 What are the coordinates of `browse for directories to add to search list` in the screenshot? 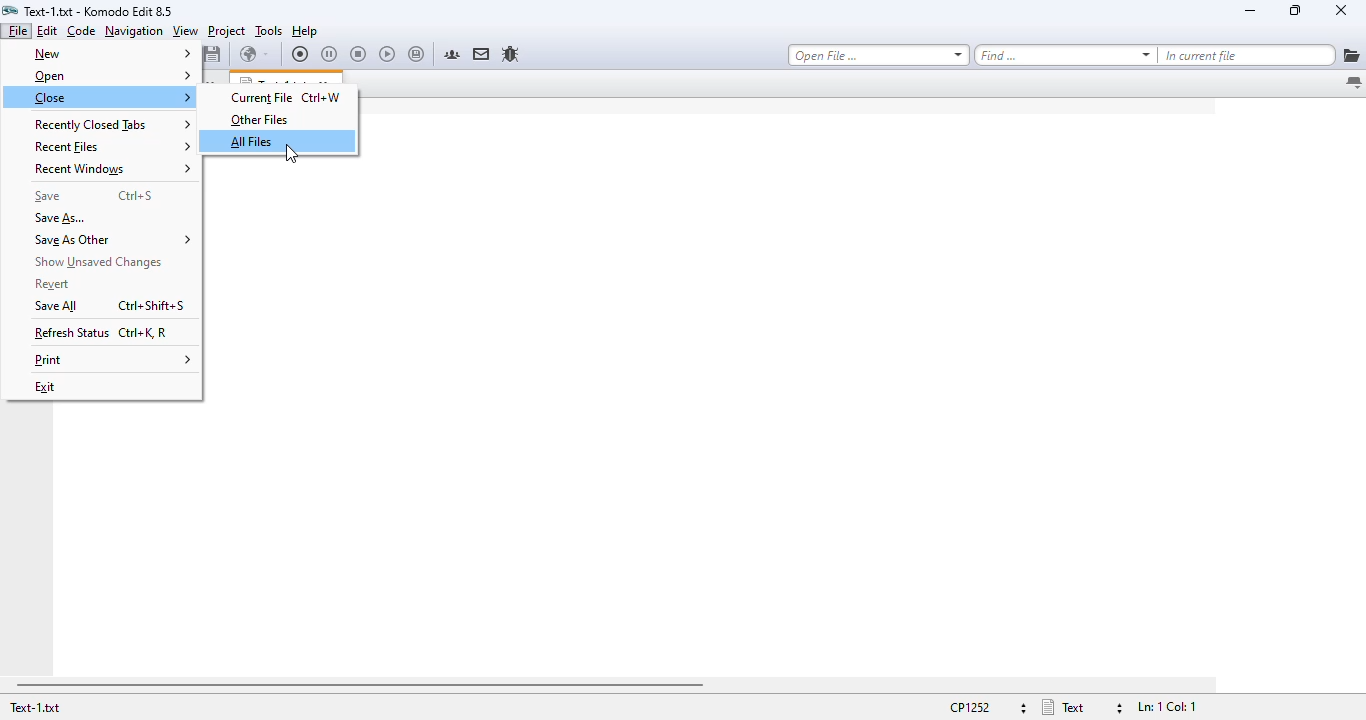 It's located at (1351, 55).